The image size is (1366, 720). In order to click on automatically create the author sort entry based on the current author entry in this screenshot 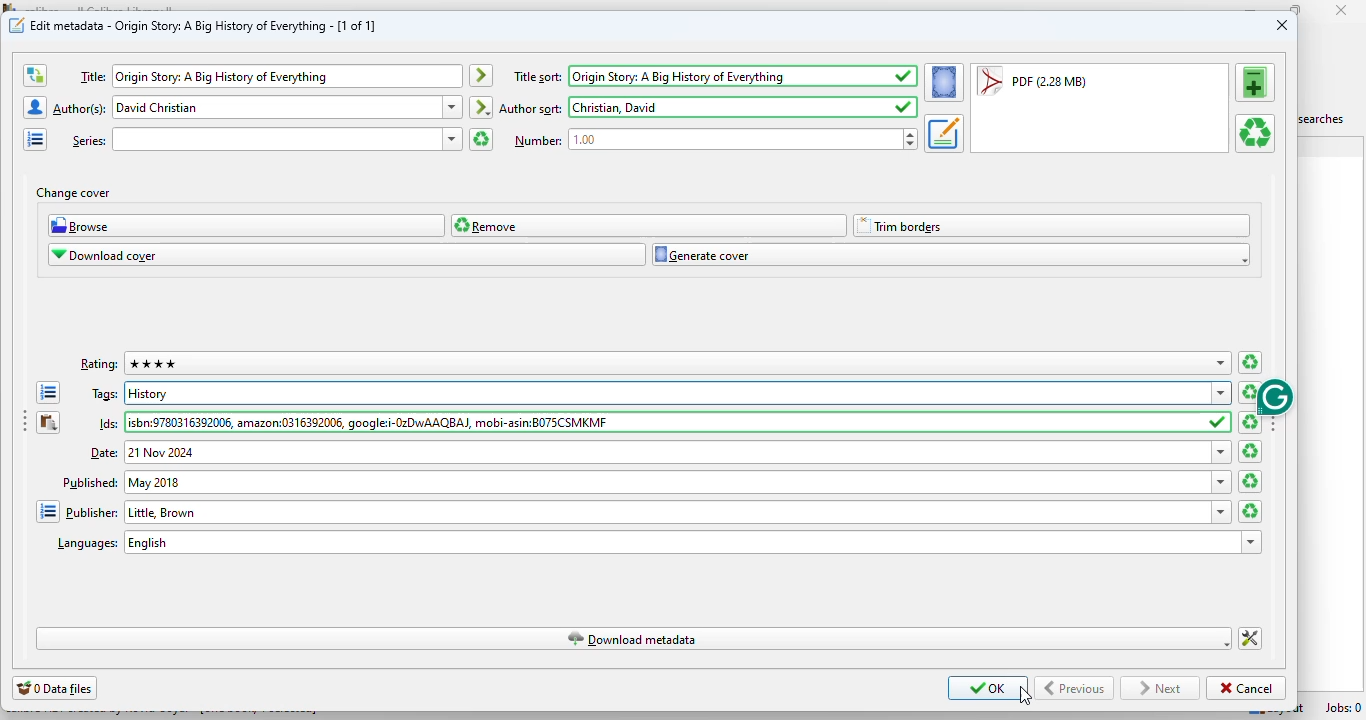, I will do `click(482, 107)`.